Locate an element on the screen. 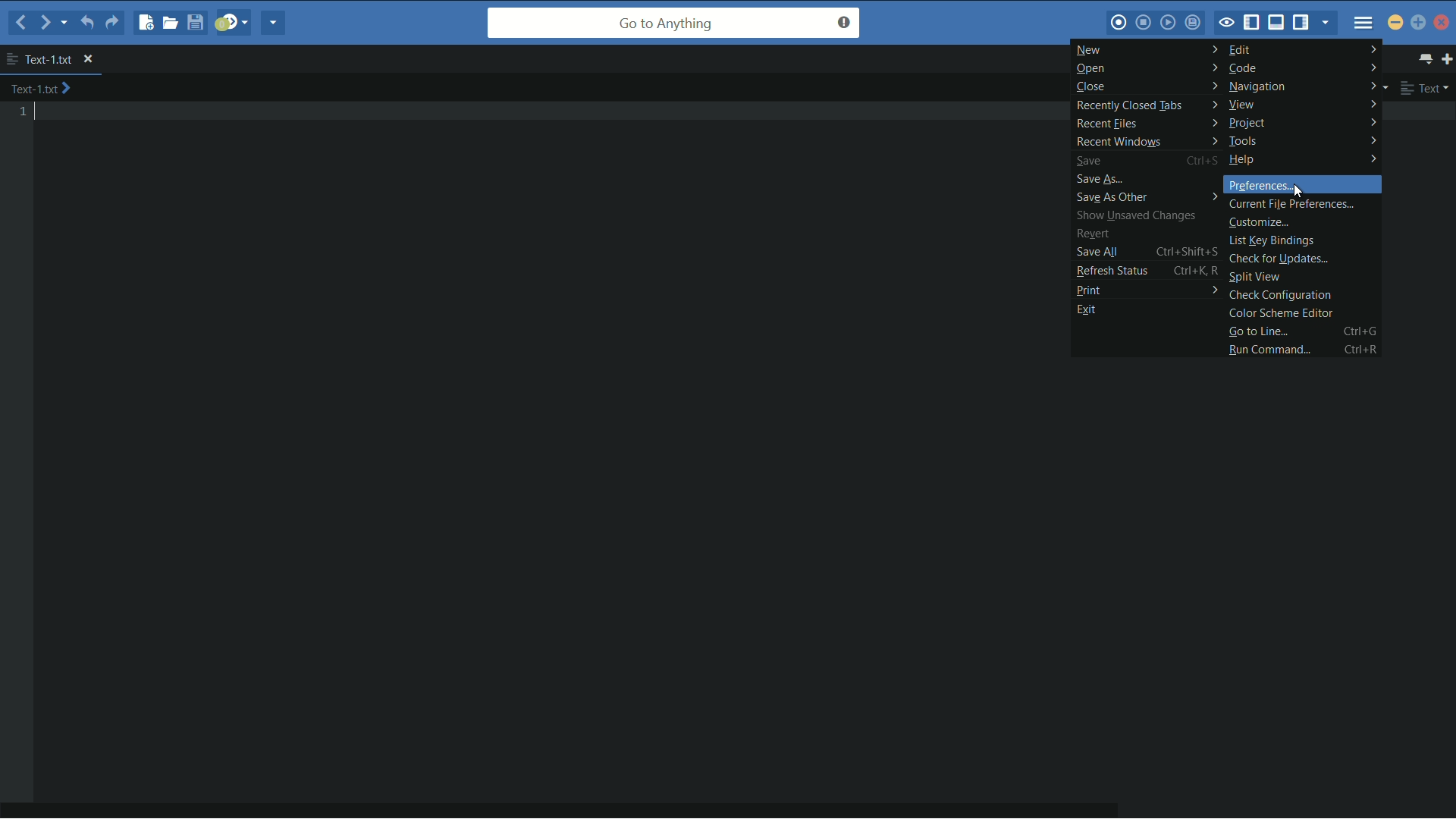 The image size is (1456, 819). show unsaved changes is located at coordinates (1135, 216).